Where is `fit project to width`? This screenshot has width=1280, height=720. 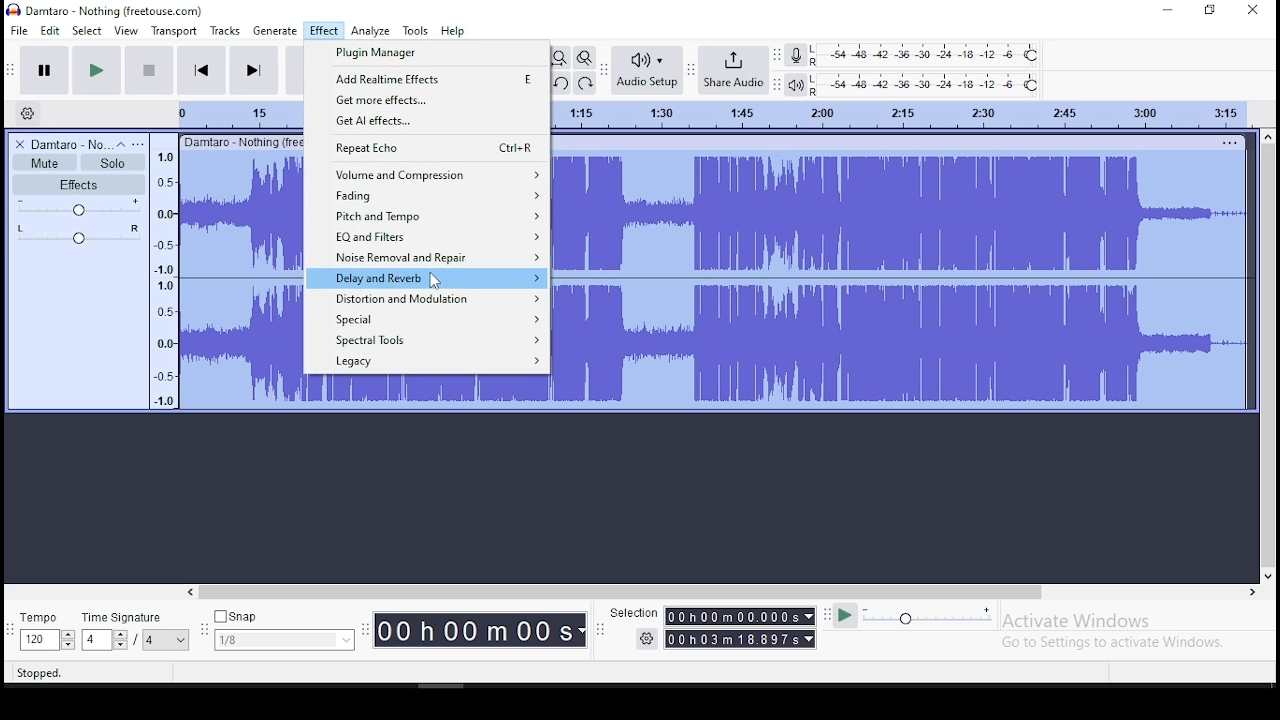 fit project to width is located at coordinates (559, 58).